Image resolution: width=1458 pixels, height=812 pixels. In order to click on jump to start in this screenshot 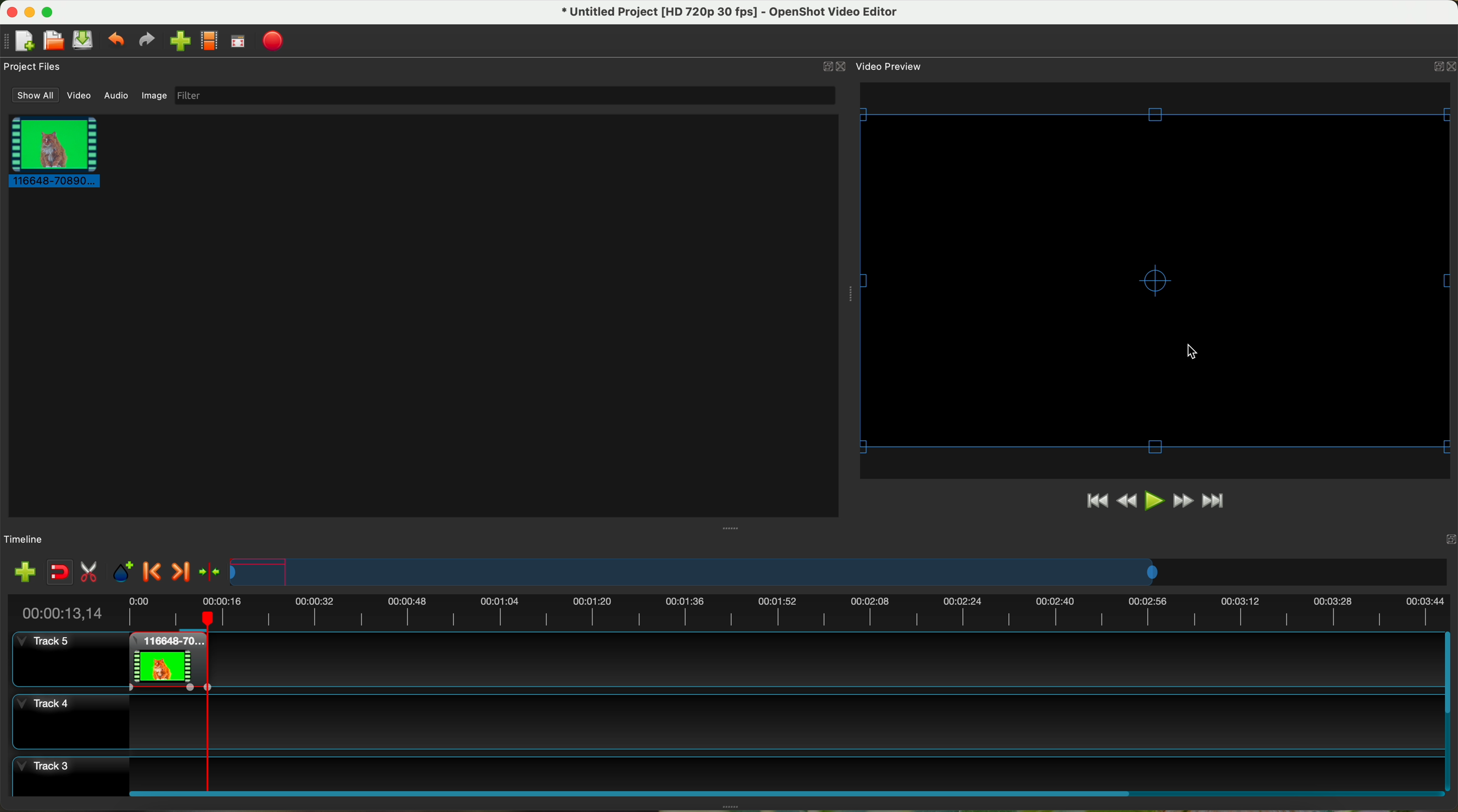, I will do `click(1096, 500)`.